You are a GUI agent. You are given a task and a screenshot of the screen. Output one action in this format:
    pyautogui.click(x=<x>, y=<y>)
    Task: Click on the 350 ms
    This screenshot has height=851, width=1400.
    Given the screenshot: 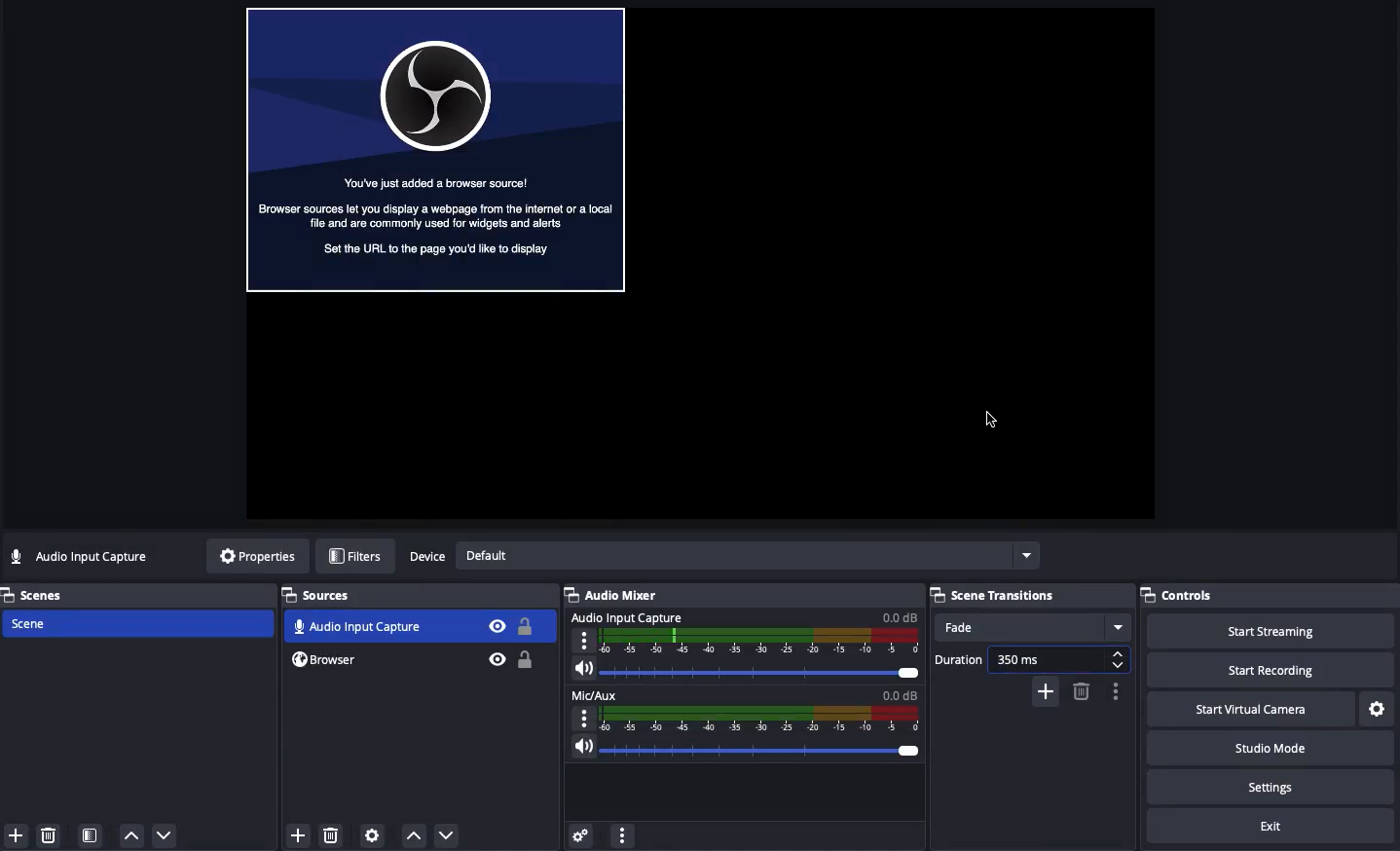 What is the action you would take?
    pyautogui.click(x=1062, y=660)
    